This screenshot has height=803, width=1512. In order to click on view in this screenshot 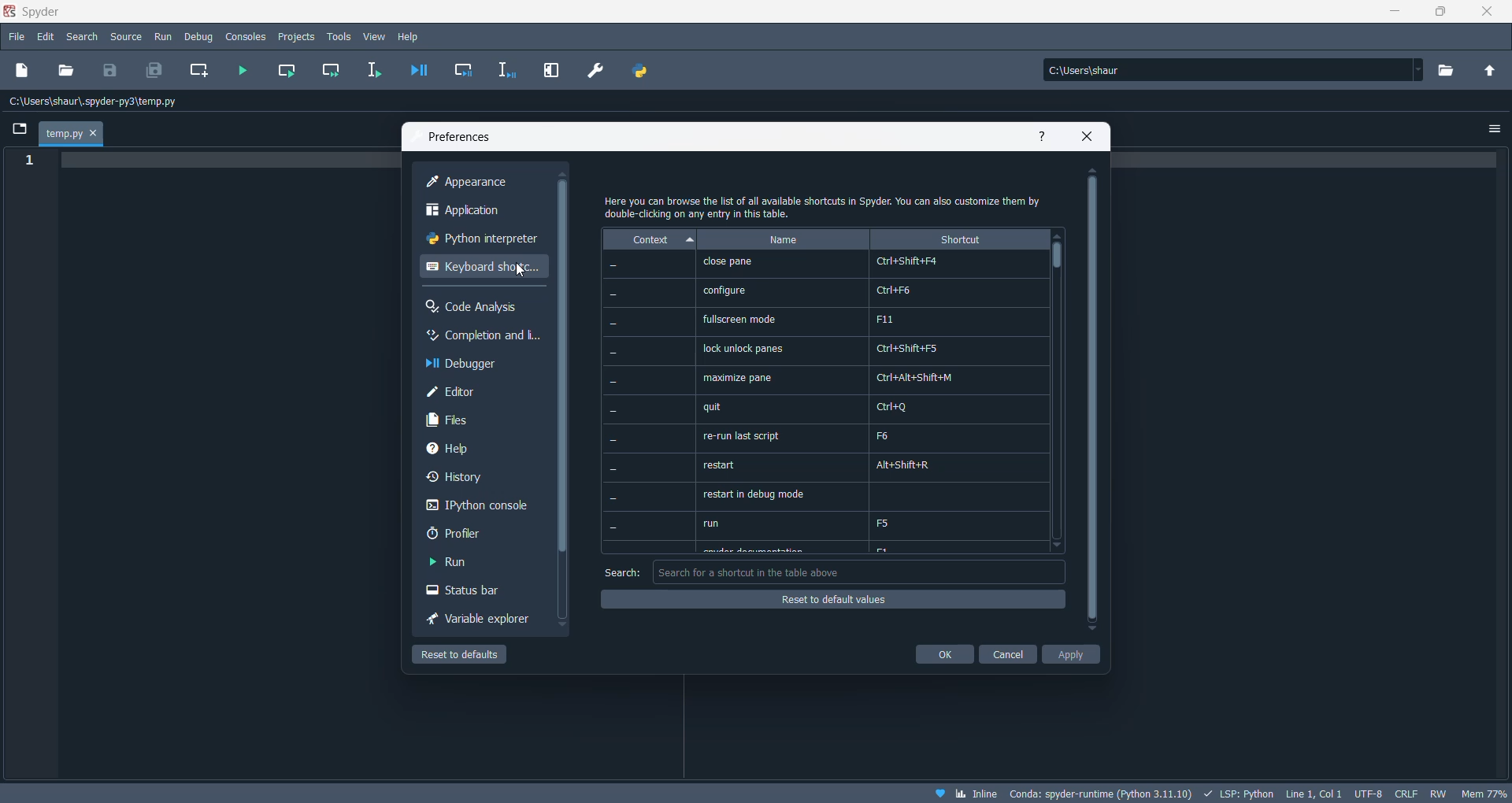, I will do `click(376, 38)`.